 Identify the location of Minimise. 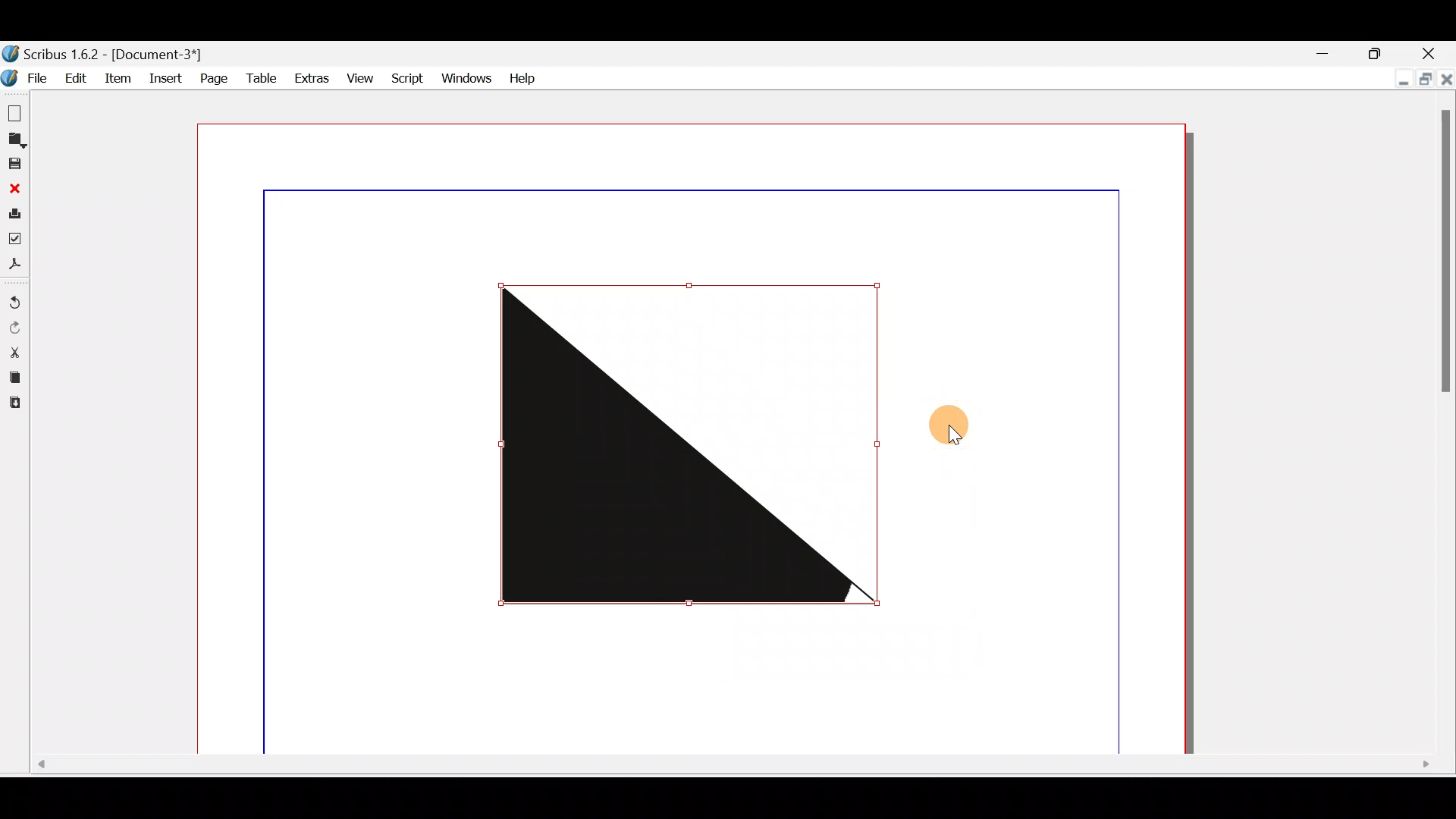
(1395, 80).